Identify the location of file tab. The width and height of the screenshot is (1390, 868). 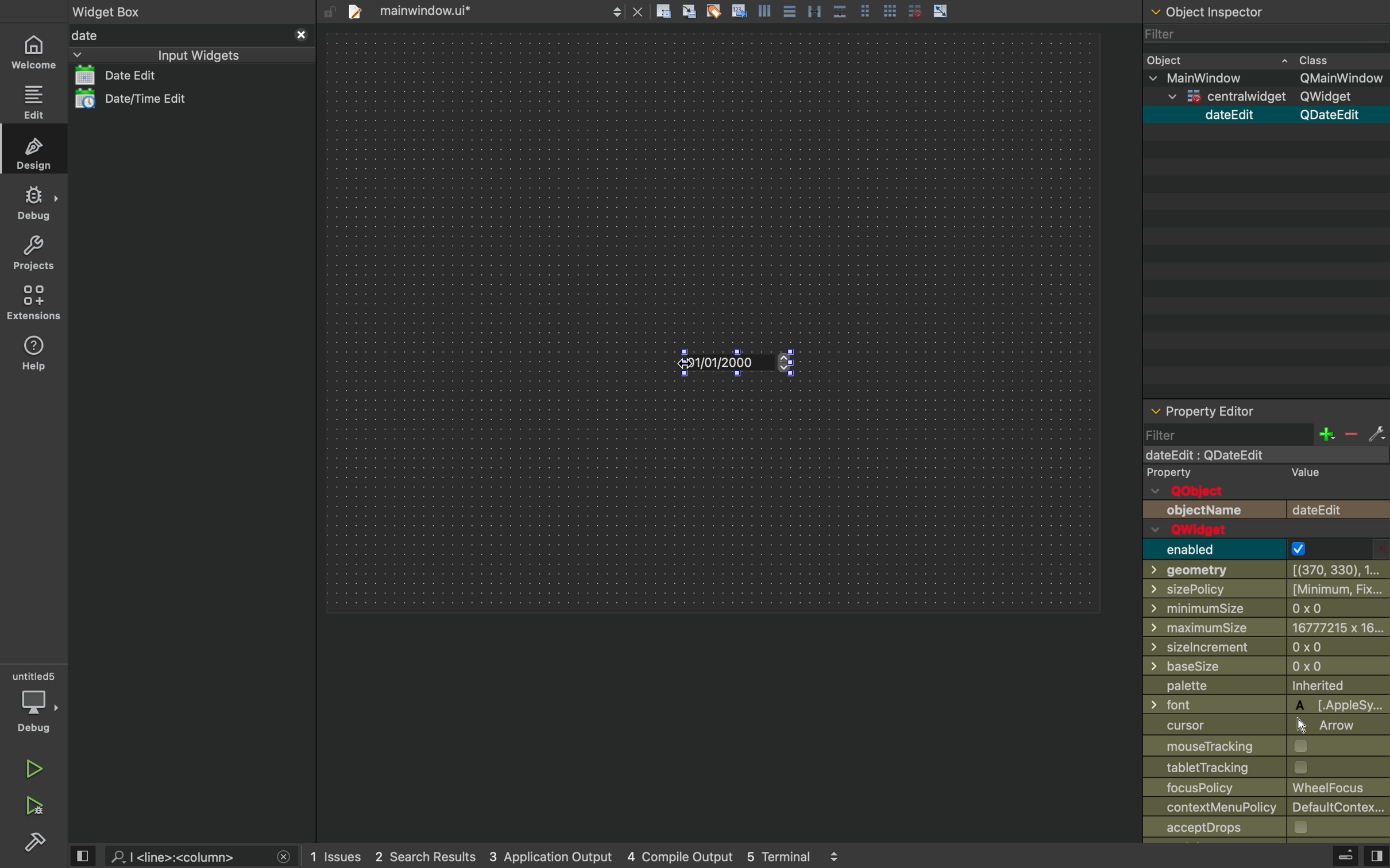
(470, 10).